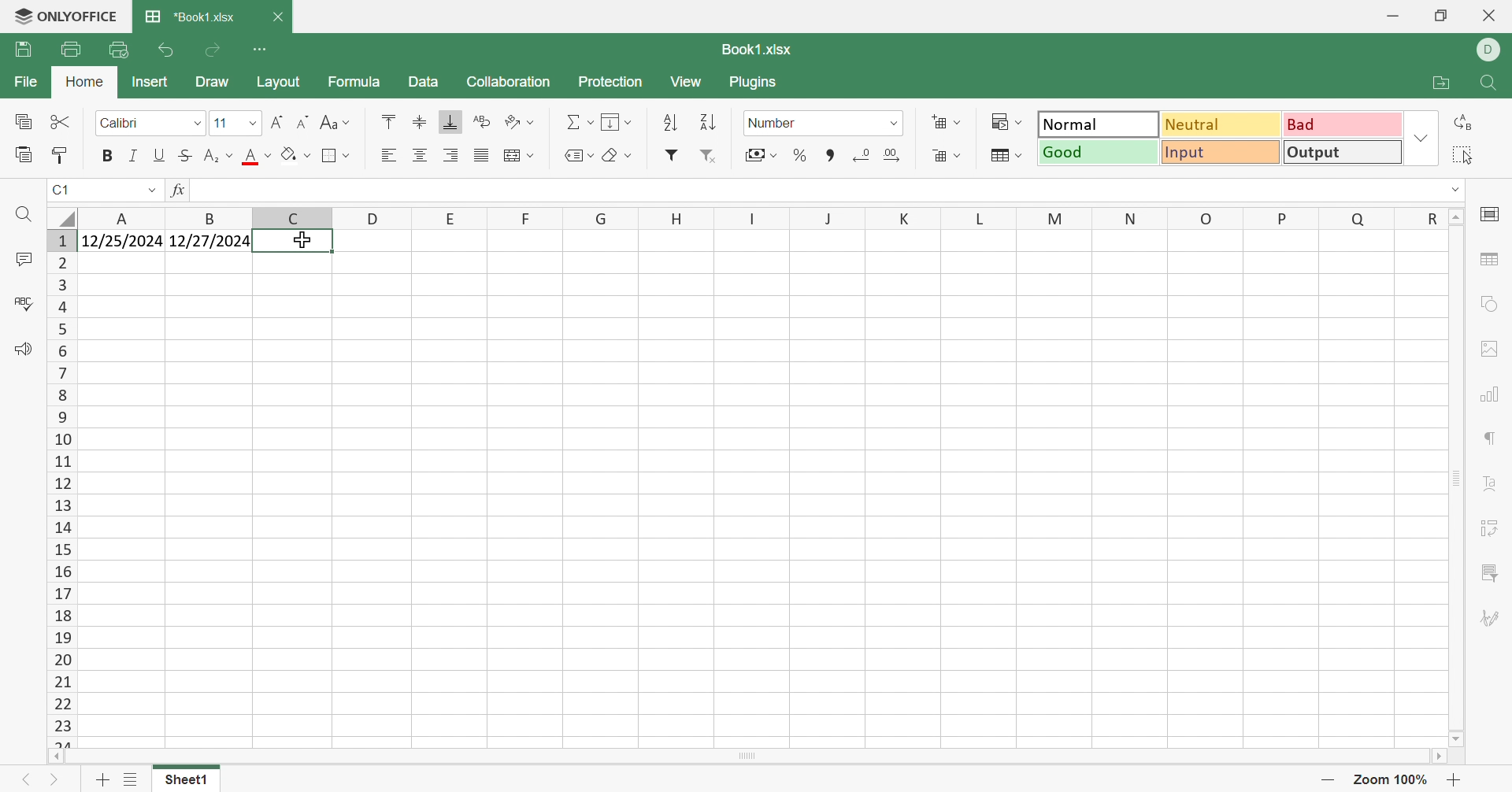 This screenshot has width=1512, height=792. What do you see at coordinates (1007, 121) in the screenshot?
I see `Conditional formatting` at bounding box center [1007, 121].